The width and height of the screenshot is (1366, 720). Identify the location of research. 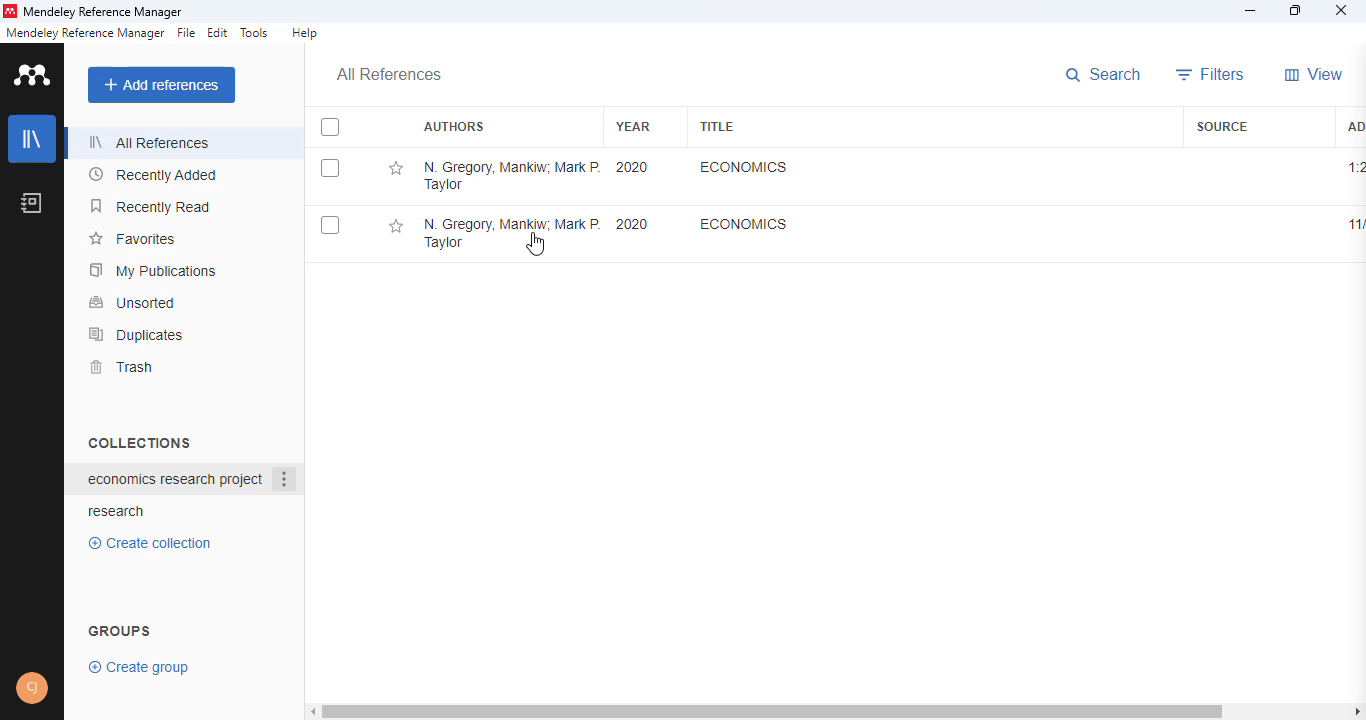
(117, 512).